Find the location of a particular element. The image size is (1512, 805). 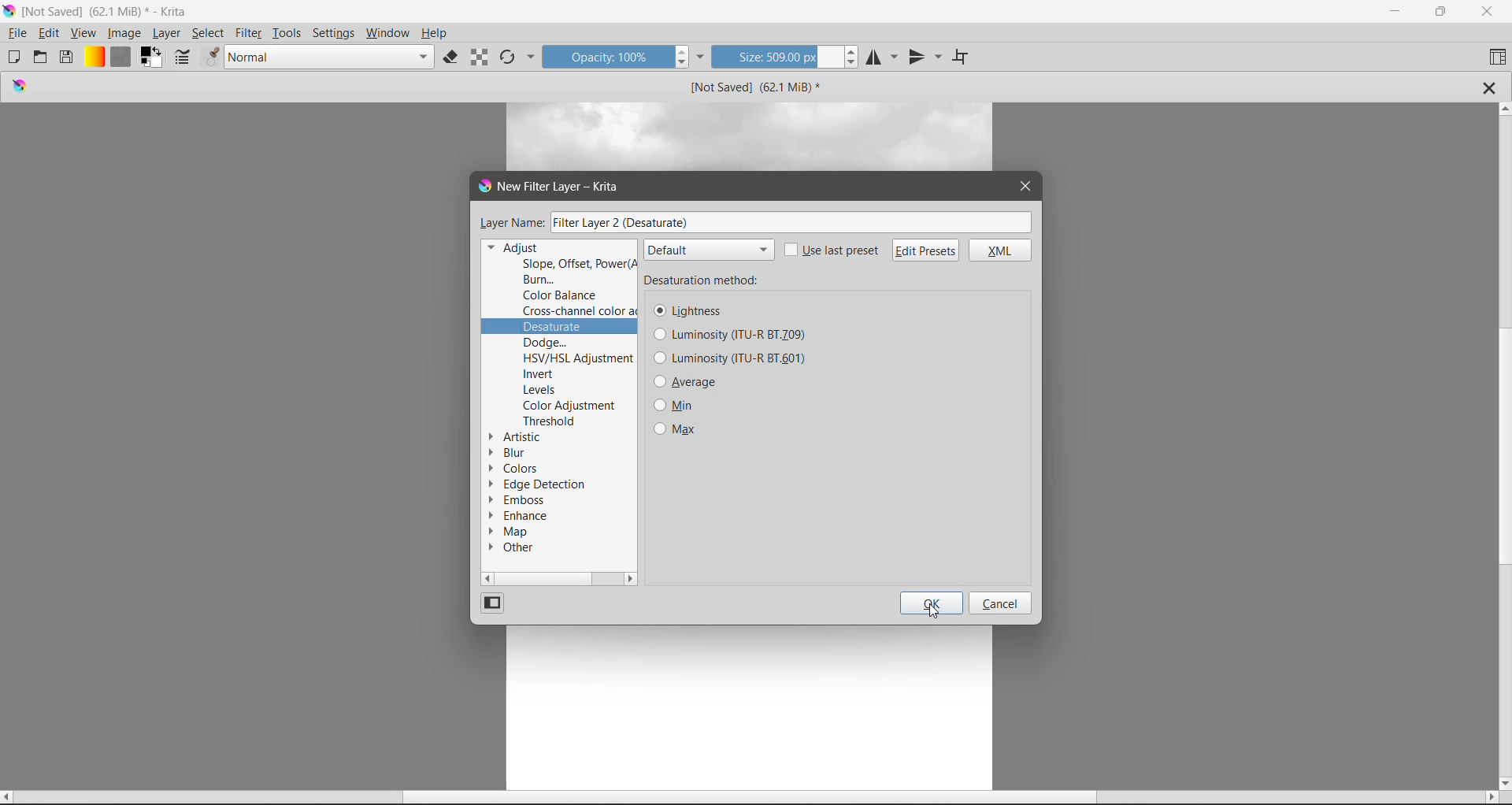

 is located at coordinates (1028, 187).